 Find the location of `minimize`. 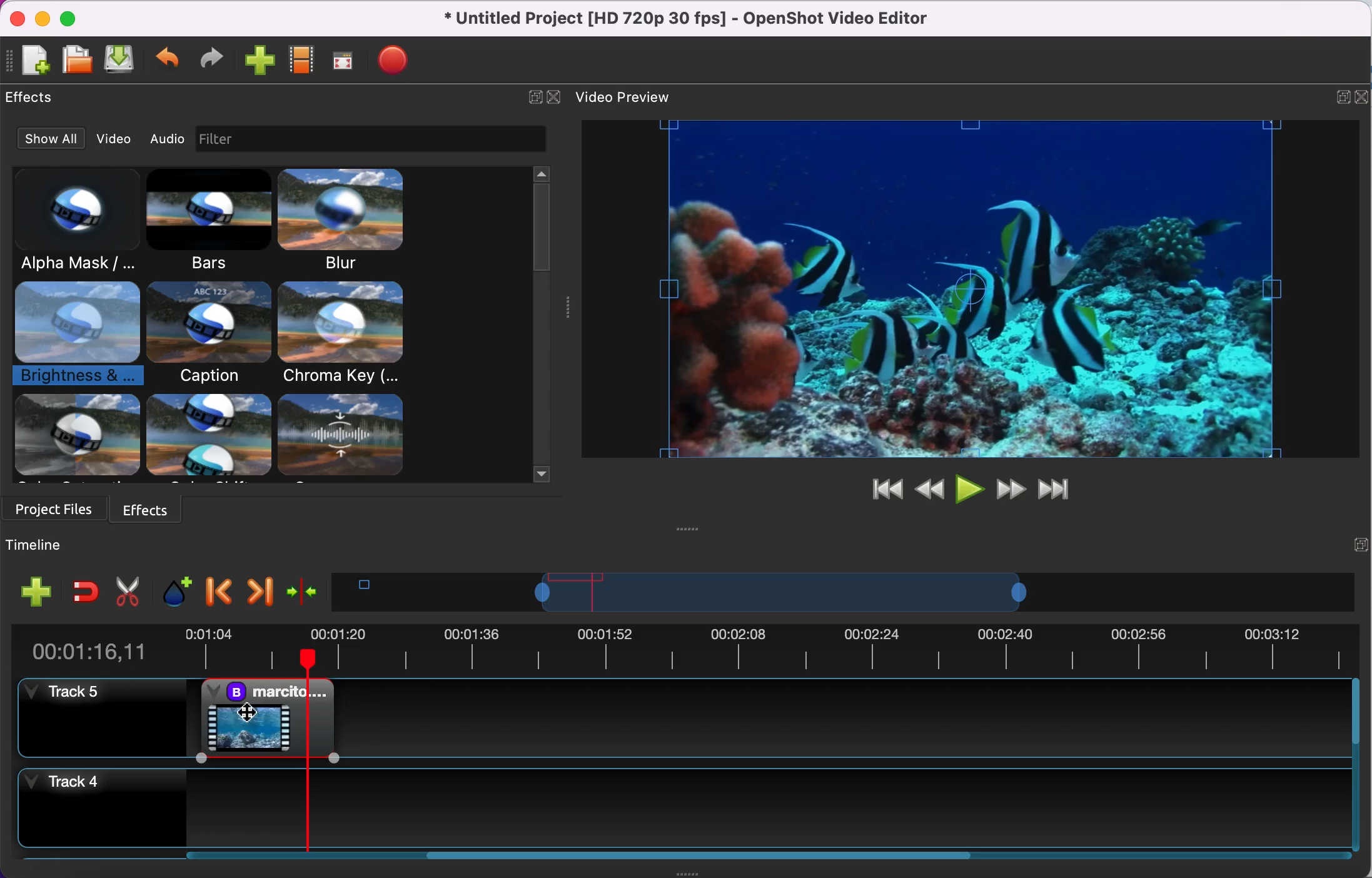

minimize is located at coordinates (43, 16).